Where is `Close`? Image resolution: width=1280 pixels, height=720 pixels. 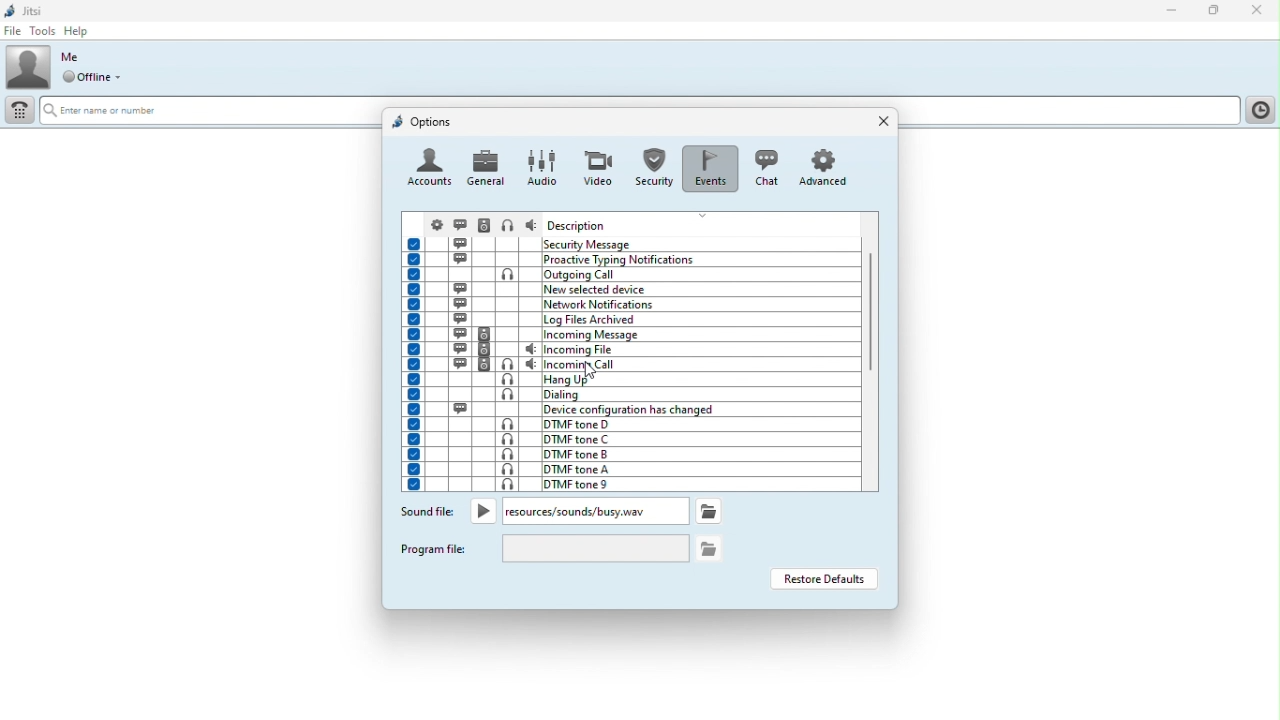 Close is located at coordinates (879, 122).